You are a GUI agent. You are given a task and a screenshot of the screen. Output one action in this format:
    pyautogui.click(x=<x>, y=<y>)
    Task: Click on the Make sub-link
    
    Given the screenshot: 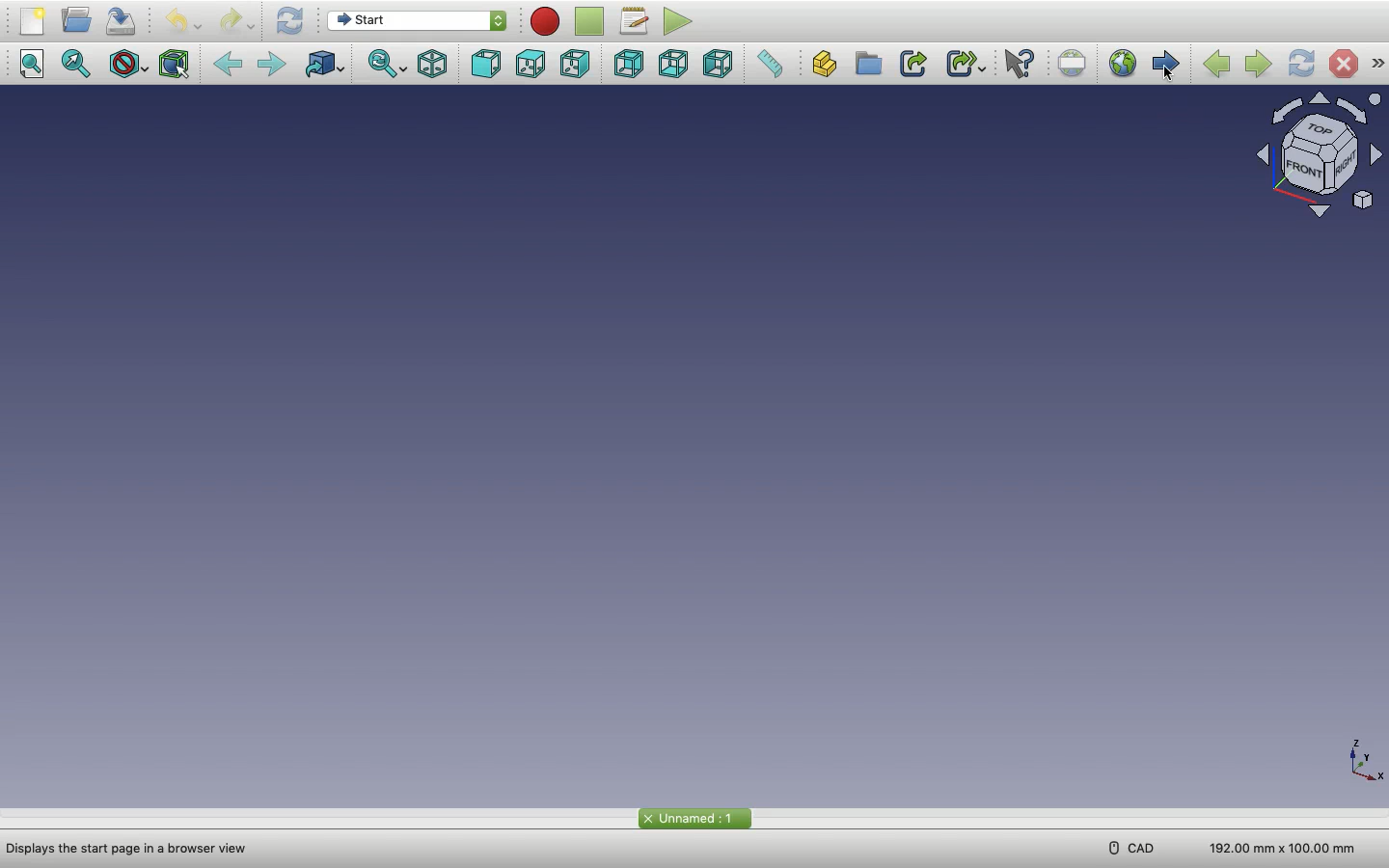 What is the action you would take?
    pyautogui.click(x=967, y=64)
    